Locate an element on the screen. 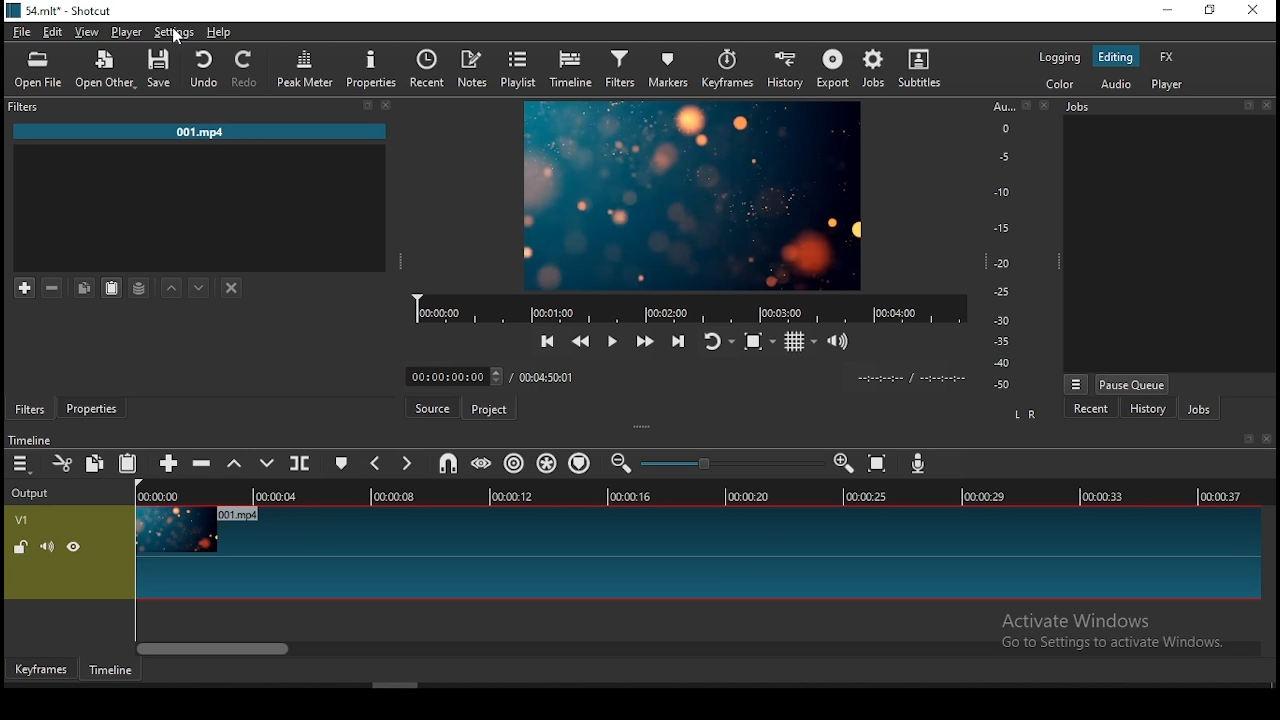 This screenshot has height=720, width=1280. pause queue is located at coordinates (1132, 384).